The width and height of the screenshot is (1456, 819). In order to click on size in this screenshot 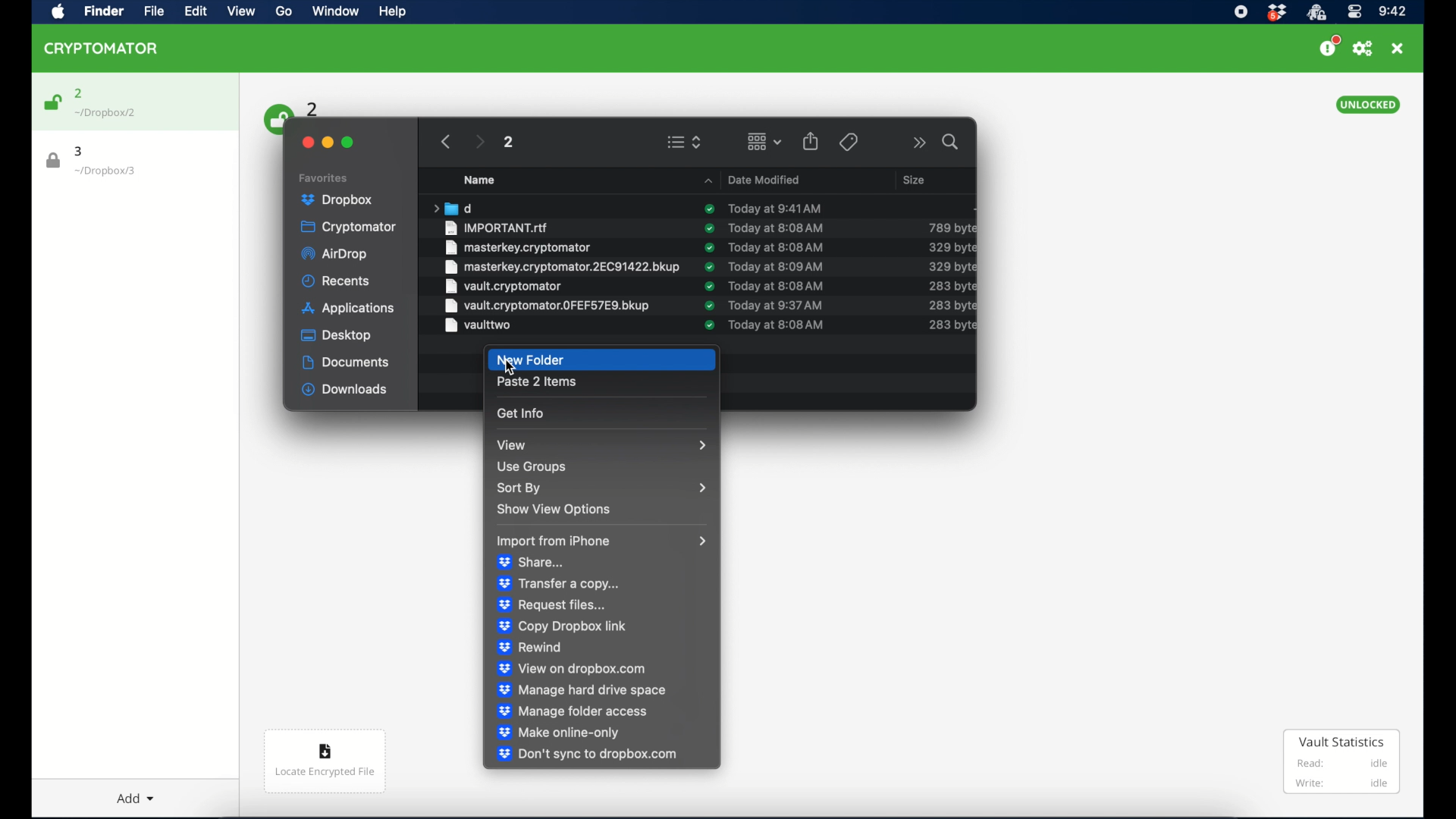, I will do `click(916, 179)`.